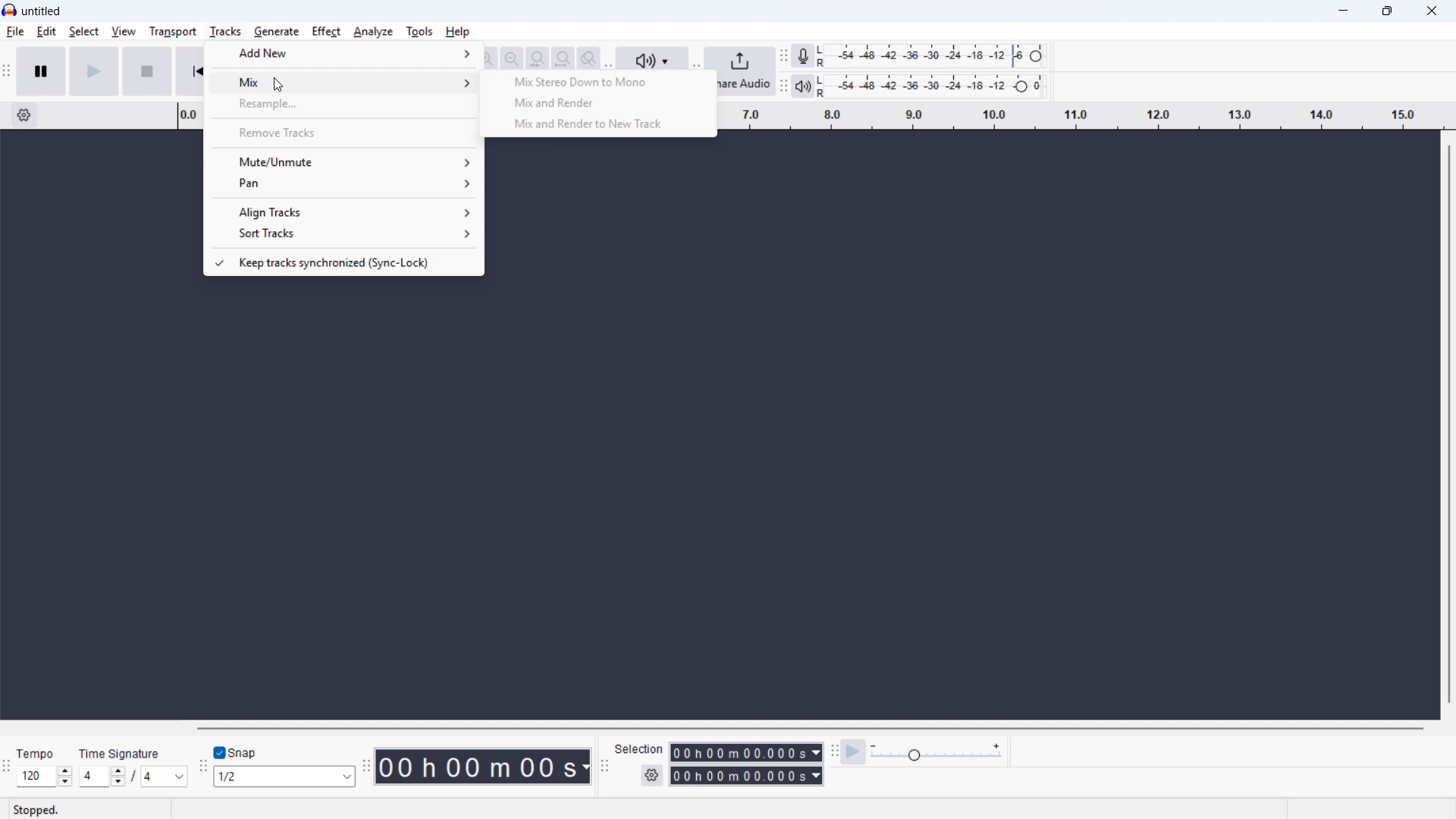 The width and height of the screenshot is (1456, 819). What do you see at coordinates (929, 57) in the screenshot?
I see `Recording level` at bounding box center [929, 57].